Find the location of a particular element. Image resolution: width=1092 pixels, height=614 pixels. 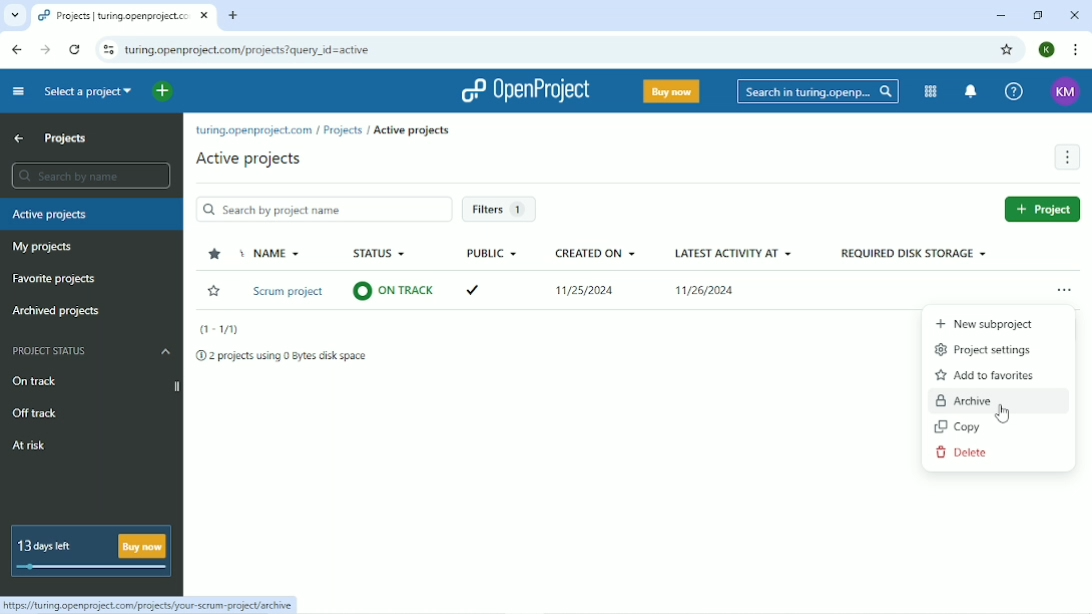

Projects | turing.openproject.com is located at coordinates (122, 16).